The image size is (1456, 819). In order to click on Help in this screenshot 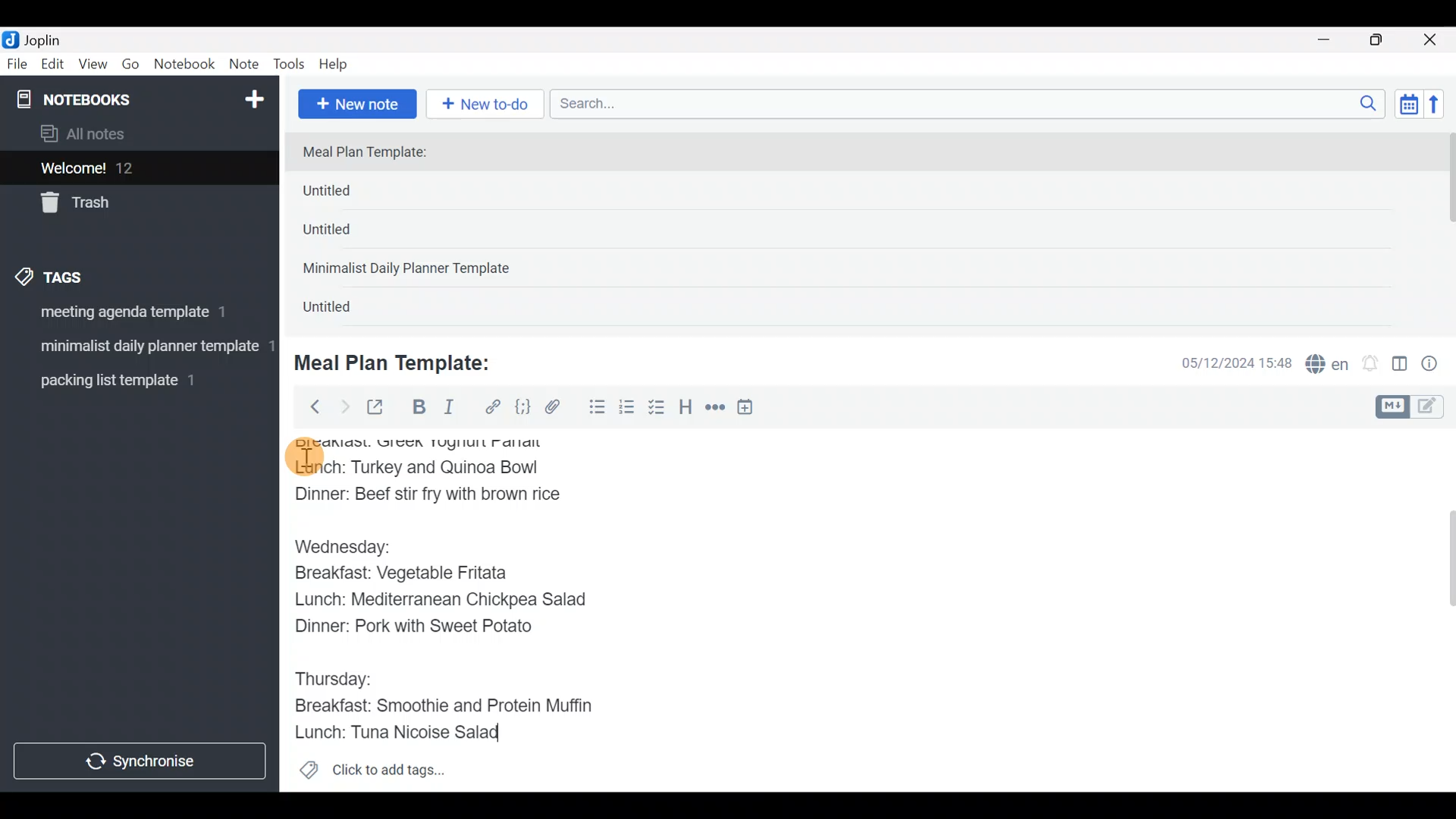, I will do `click(339, 61)`.